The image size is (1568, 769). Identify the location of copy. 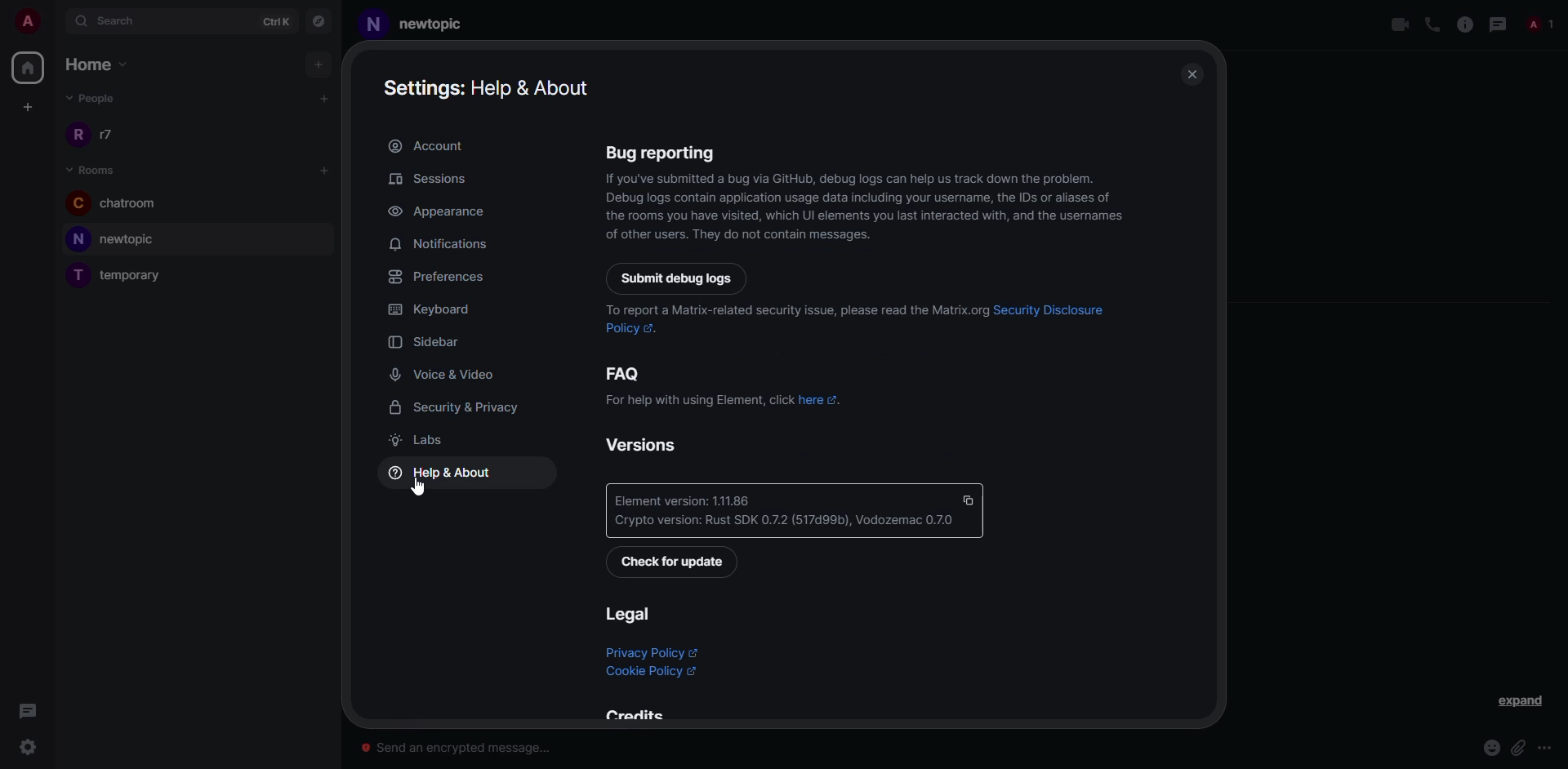
(969, 500).